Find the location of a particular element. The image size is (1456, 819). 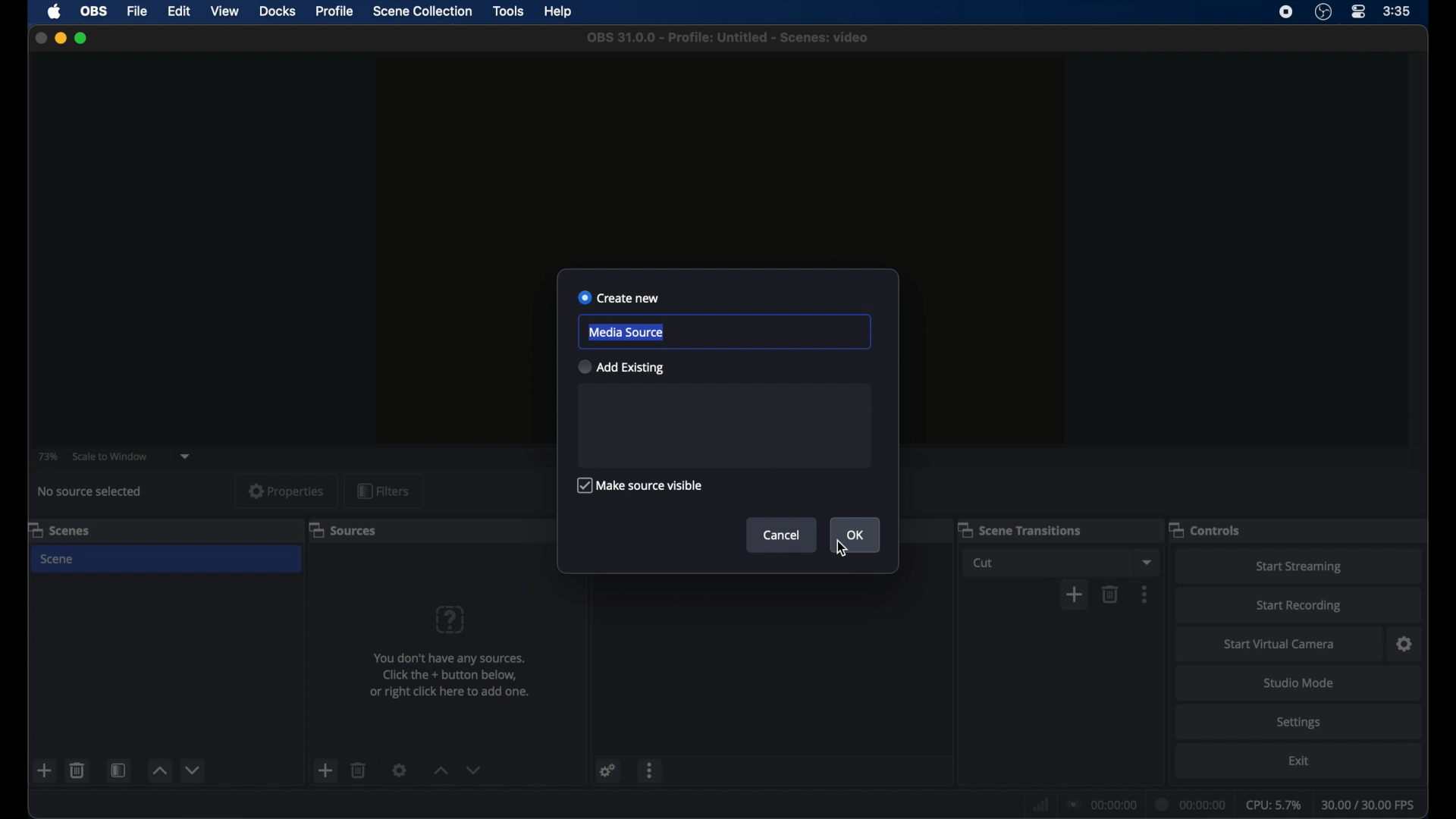

add existing is located at coordinates (622, 367).